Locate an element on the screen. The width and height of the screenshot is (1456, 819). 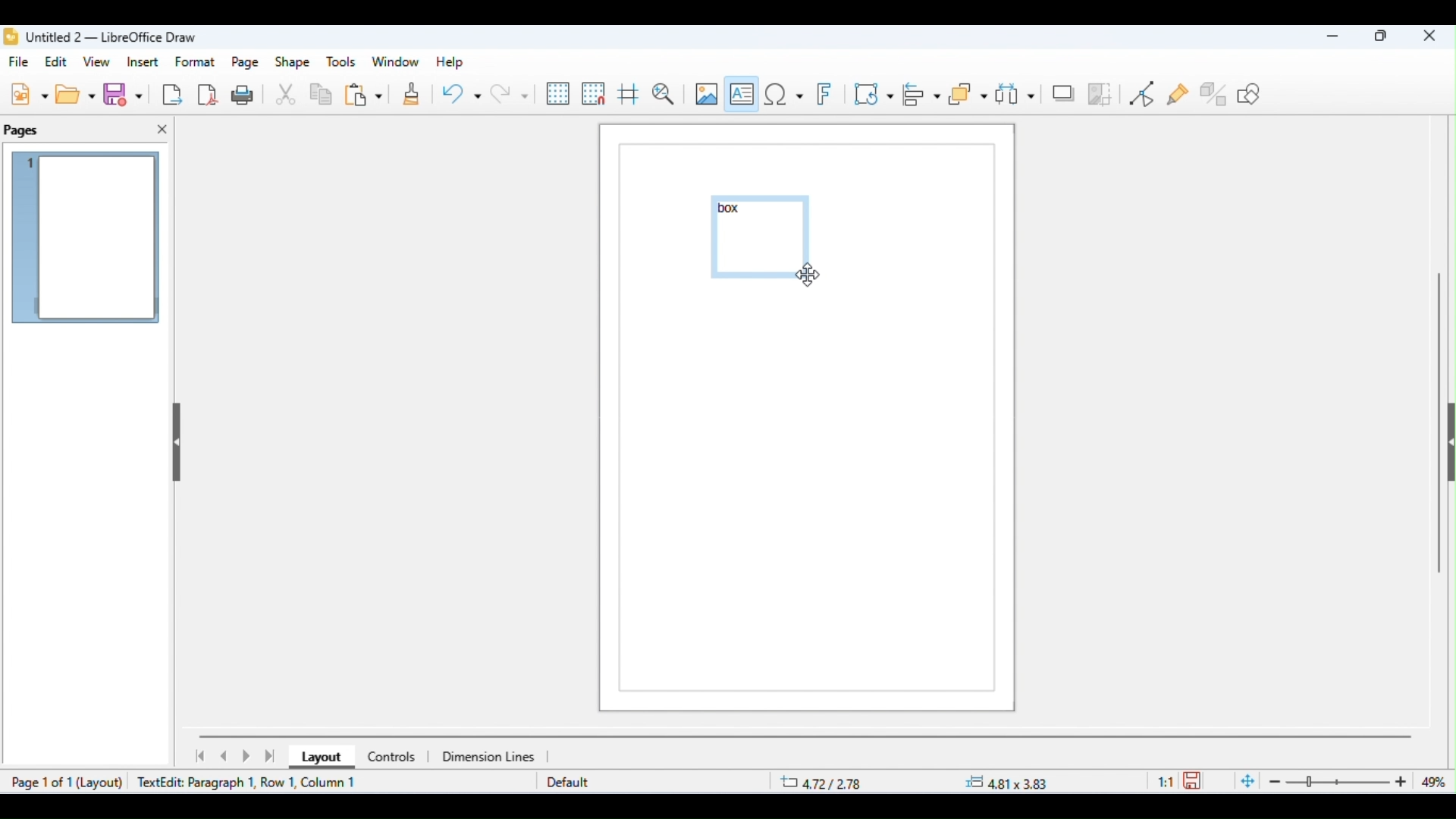
window is located at coordinates (396, 62).